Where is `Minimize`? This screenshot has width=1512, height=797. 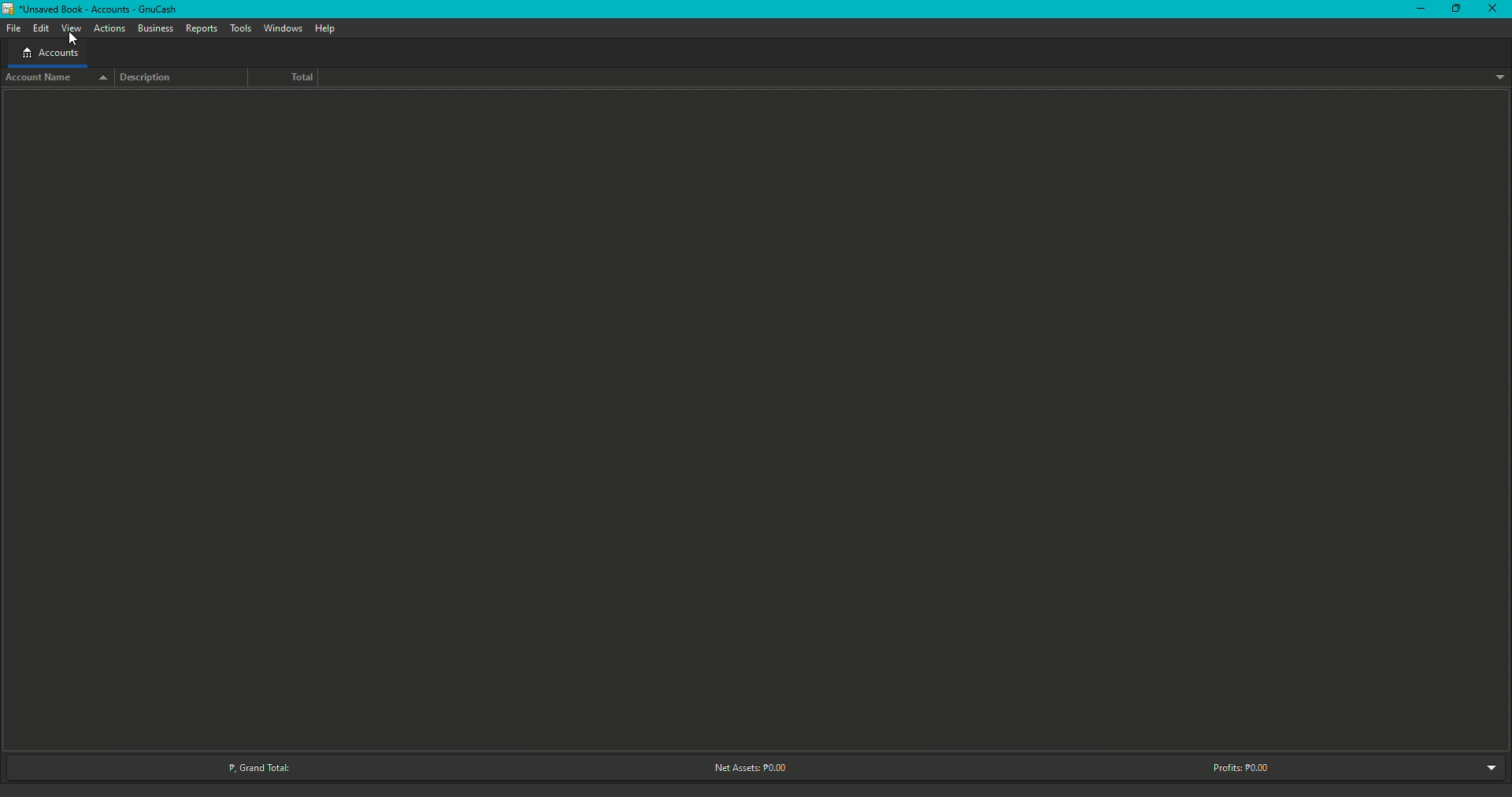
Minimize is located at coordinates (1417, 9).